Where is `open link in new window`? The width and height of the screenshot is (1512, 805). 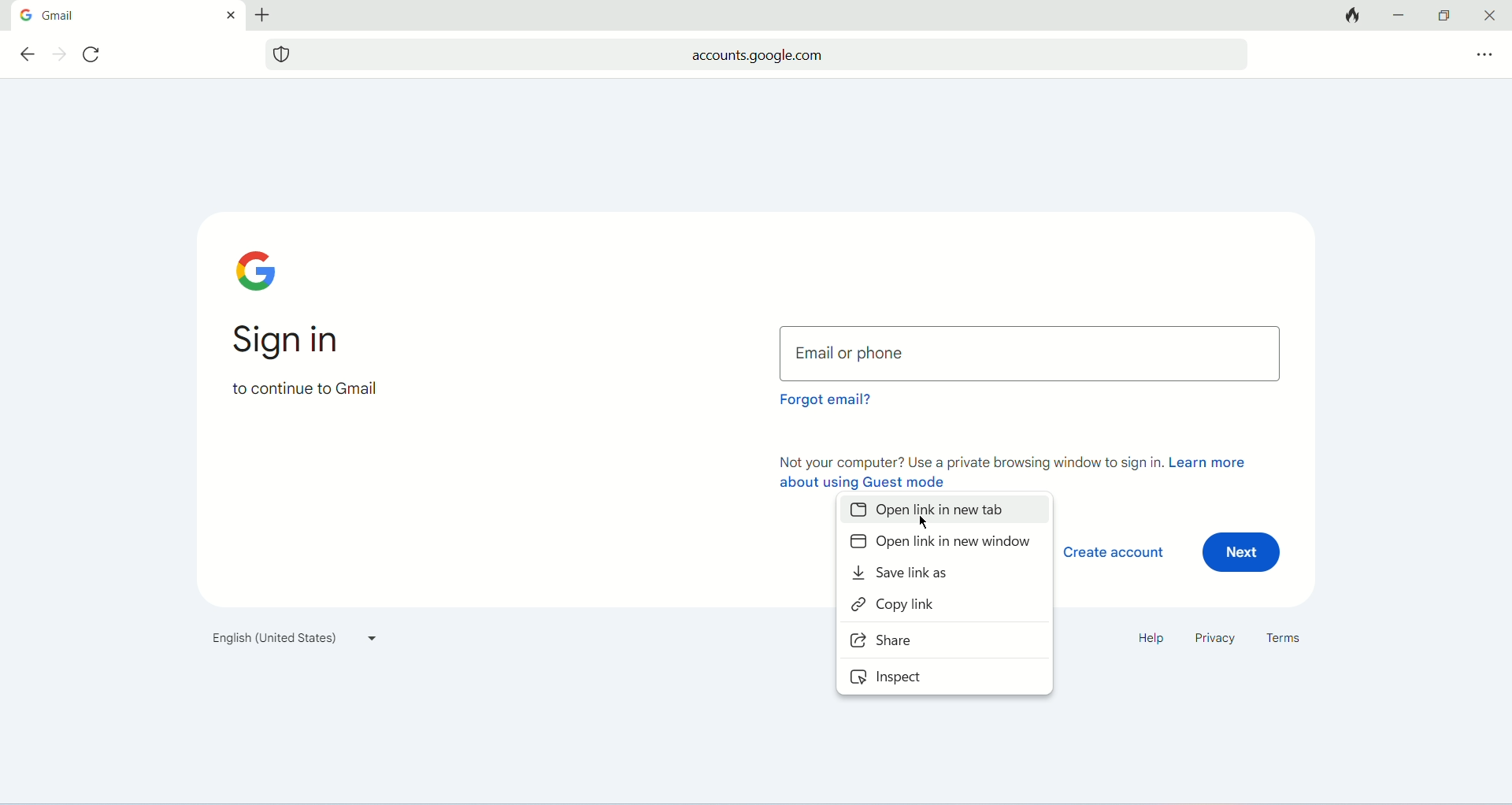
open link in new window is located at coordinates (939, 543).